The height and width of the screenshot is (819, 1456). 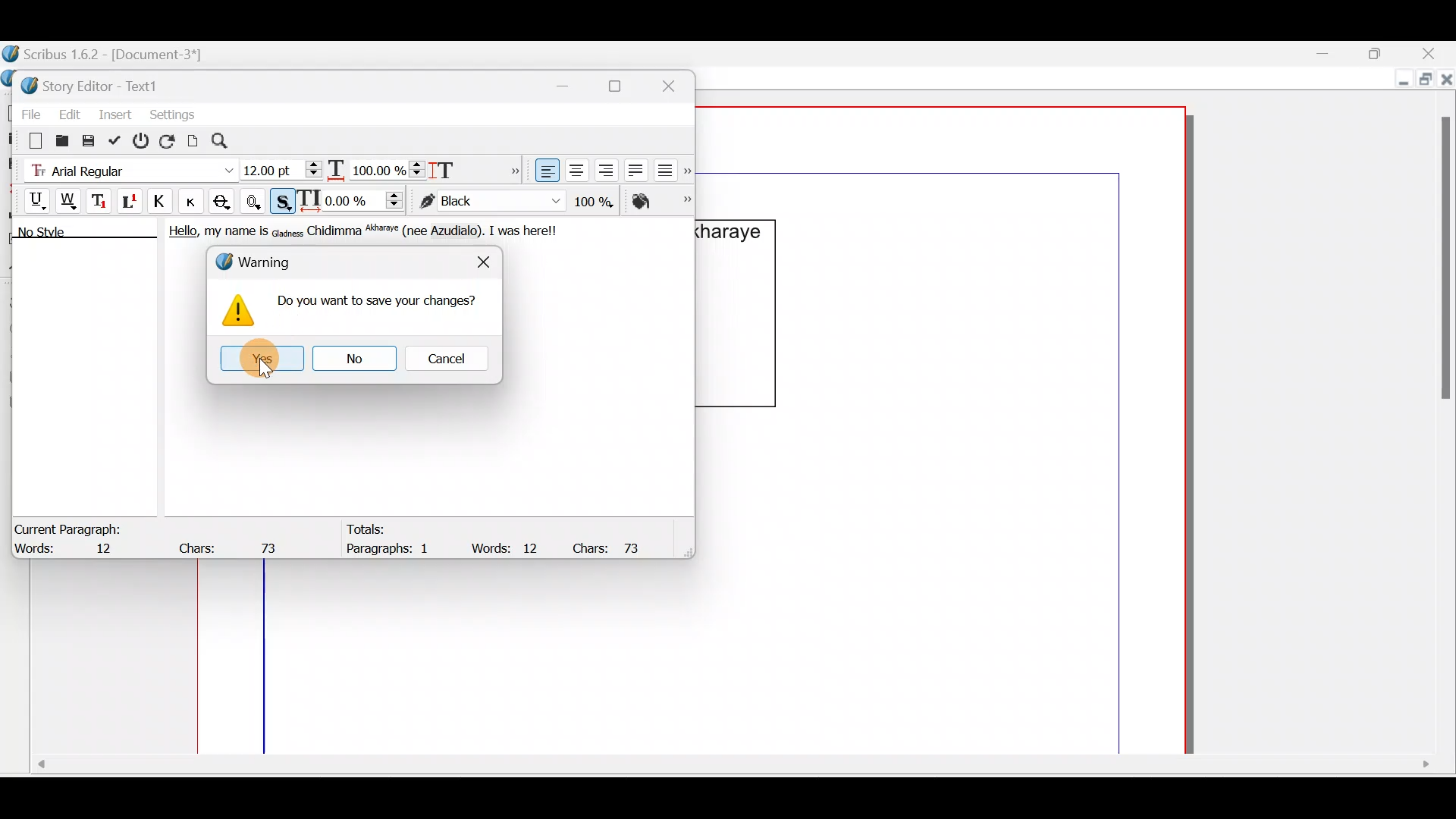 I want to click on Strike out, so click(x=226, y=202).